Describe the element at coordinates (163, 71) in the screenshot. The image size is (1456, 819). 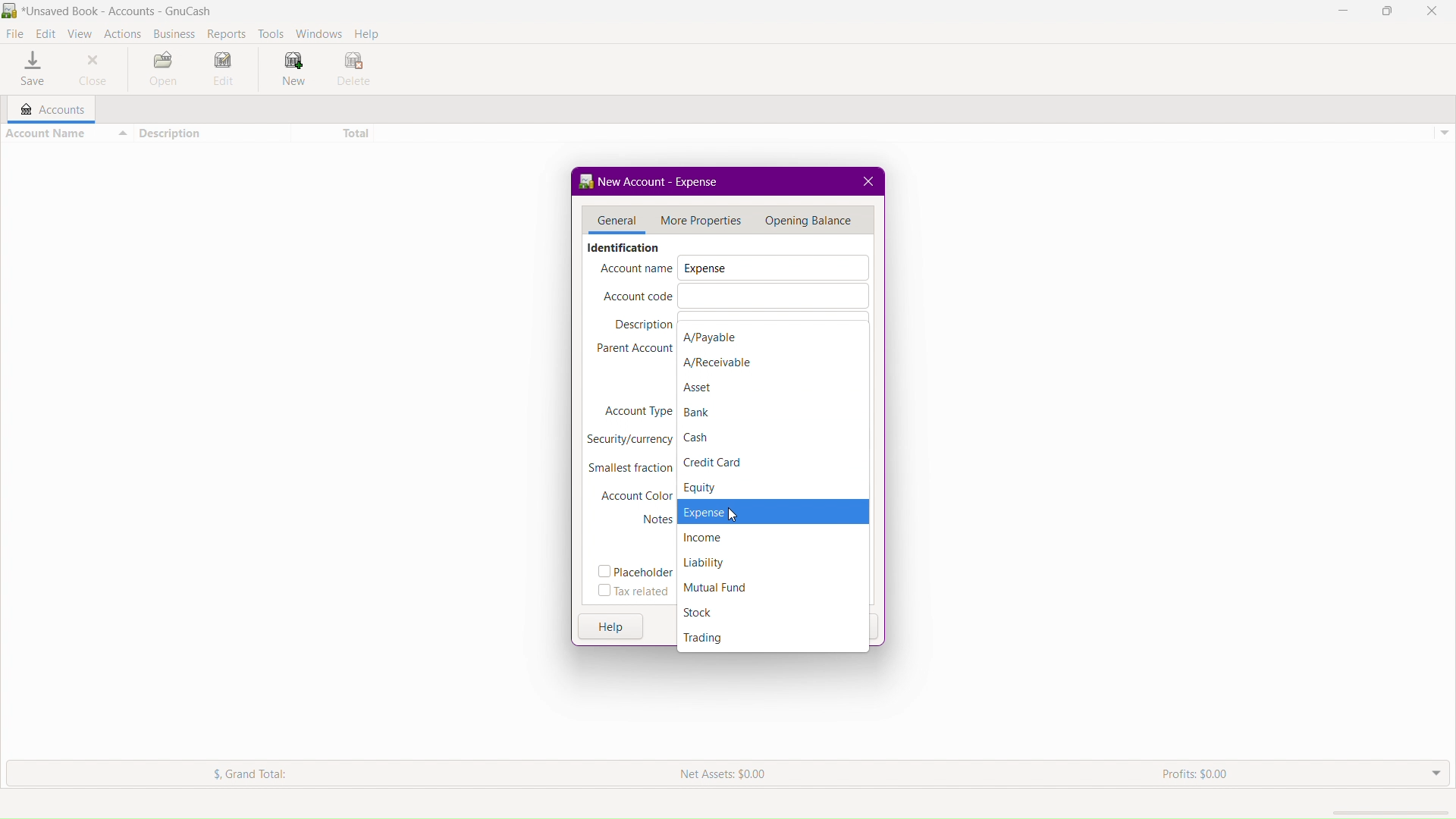
I see `Open` at that location.